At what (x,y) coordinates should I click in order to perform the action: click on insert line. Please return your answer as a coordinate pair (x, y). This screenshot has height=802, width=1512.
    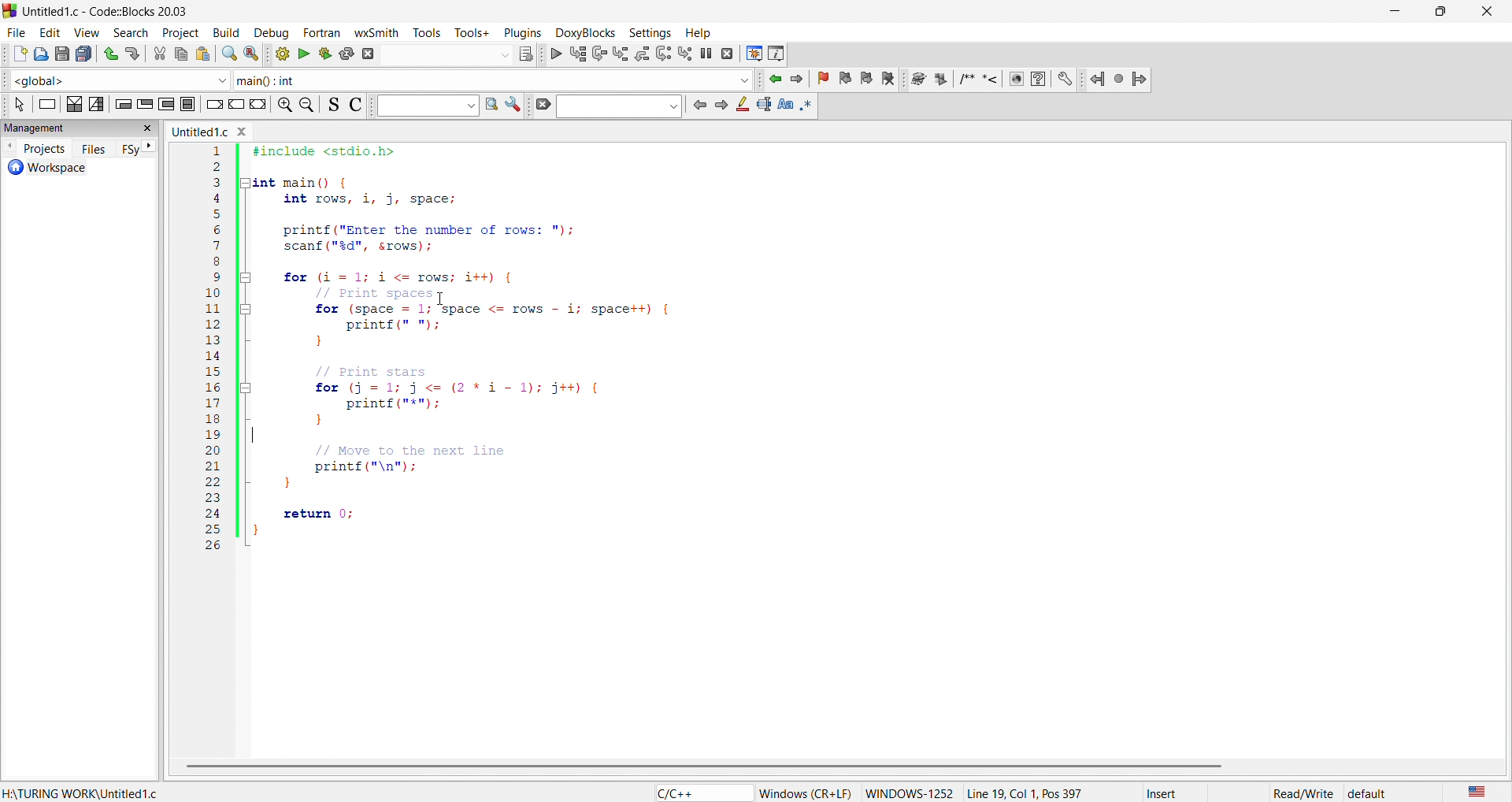
    Looking at the image, I should click on (993, 79).